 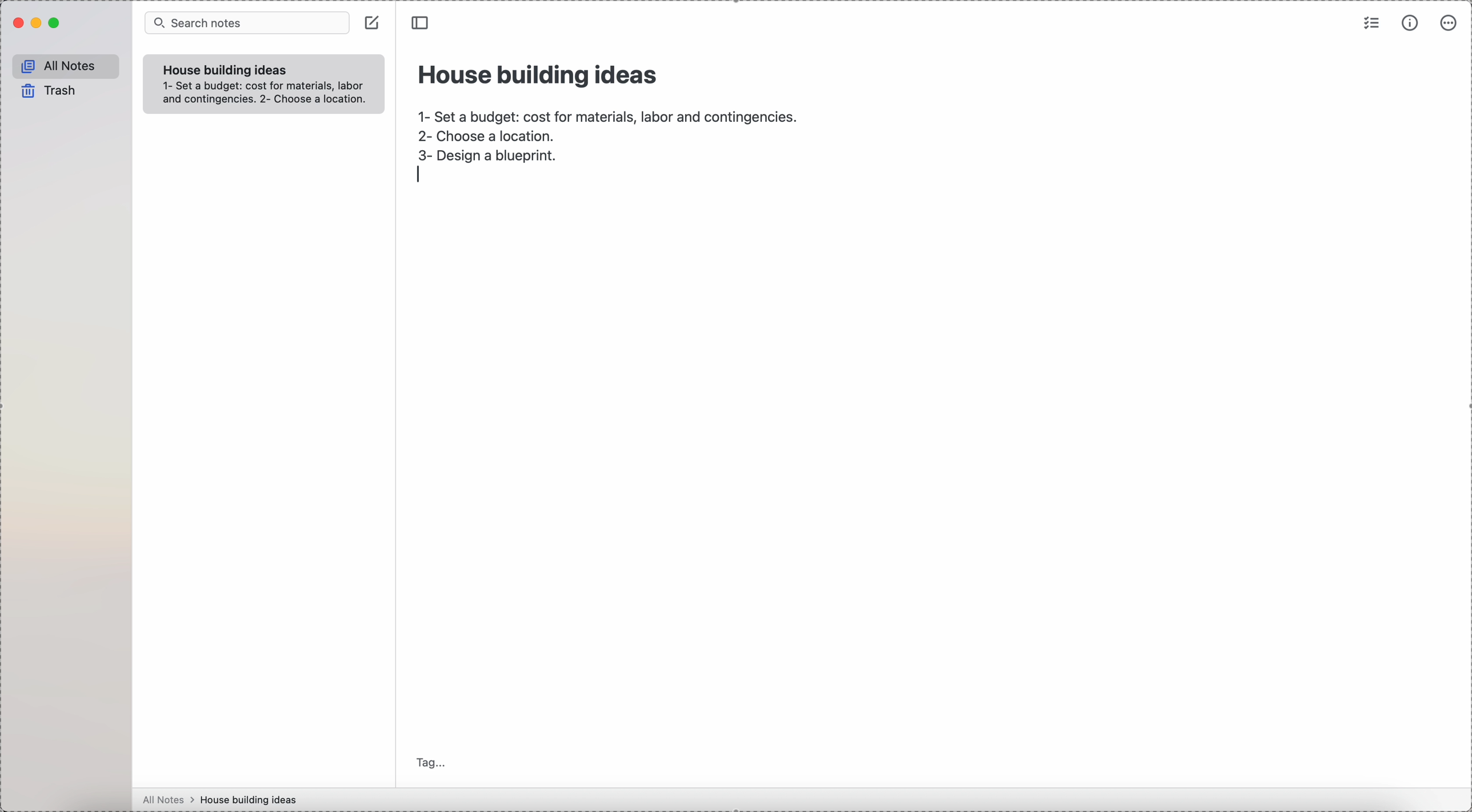 I want to click on more options, so click(x=1450, y=23).